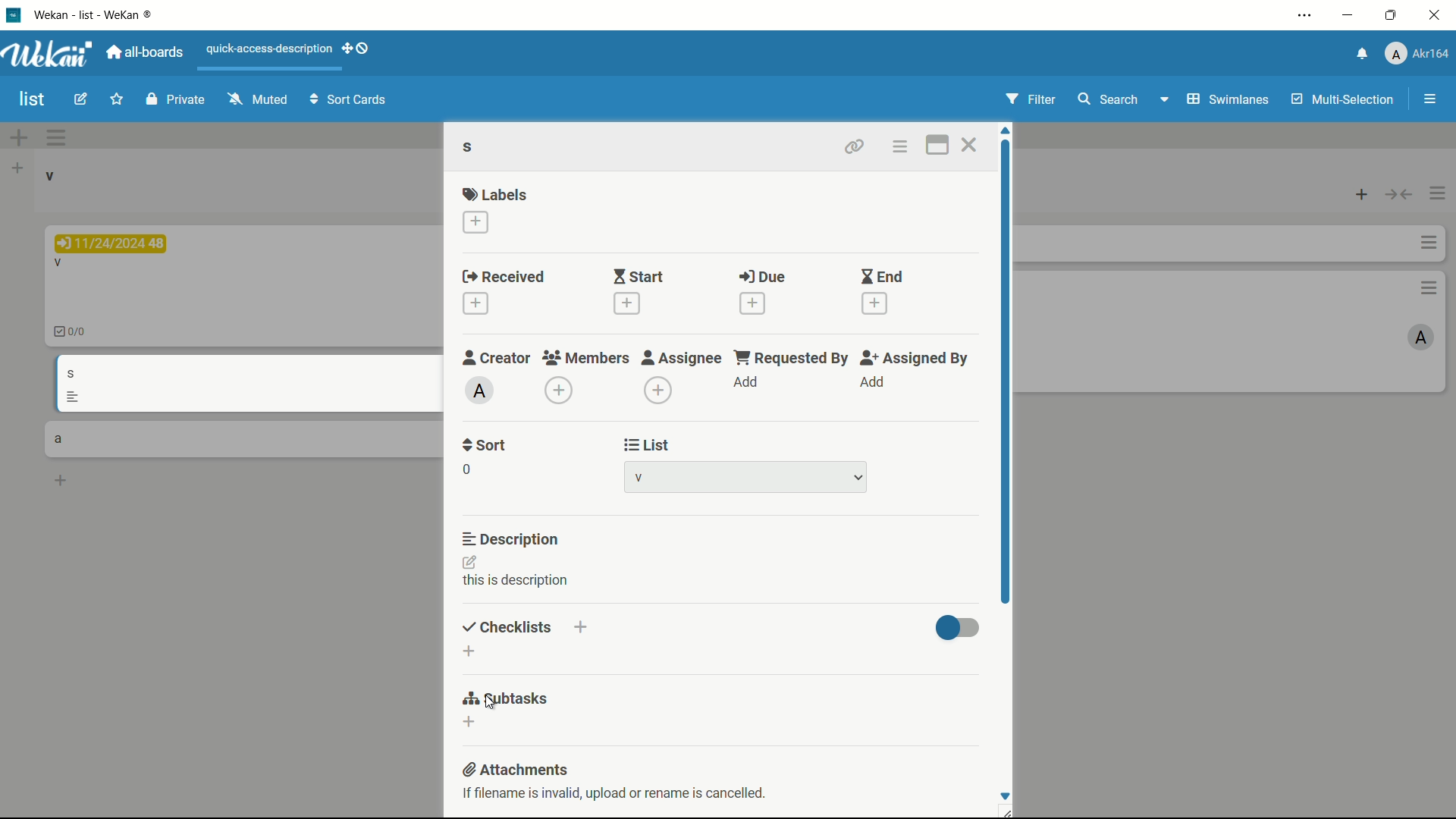 This screenshot has height=819, width=1456. What do you see at coordinates (1391, 16) in the screenshot?
I see `maximize` at bounding box center [1391, 16].